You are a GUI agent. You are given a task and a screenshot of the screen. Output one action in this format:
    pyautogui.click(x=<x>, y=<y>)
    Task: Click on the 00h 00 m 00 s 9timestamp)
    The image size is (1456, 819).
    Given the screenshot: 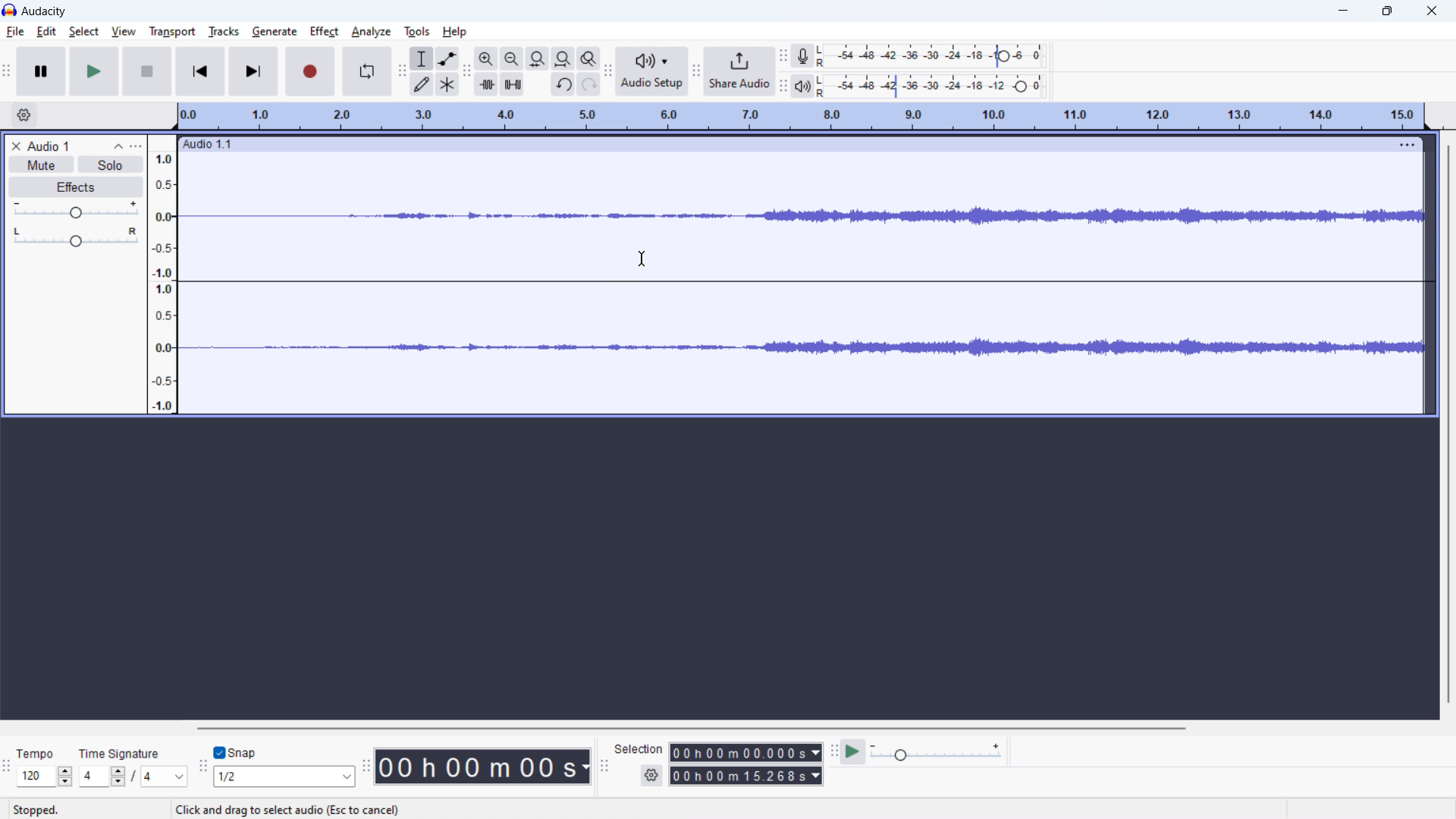 What is the action you would take?
    pyautogui.click(x=485, y=766)
    